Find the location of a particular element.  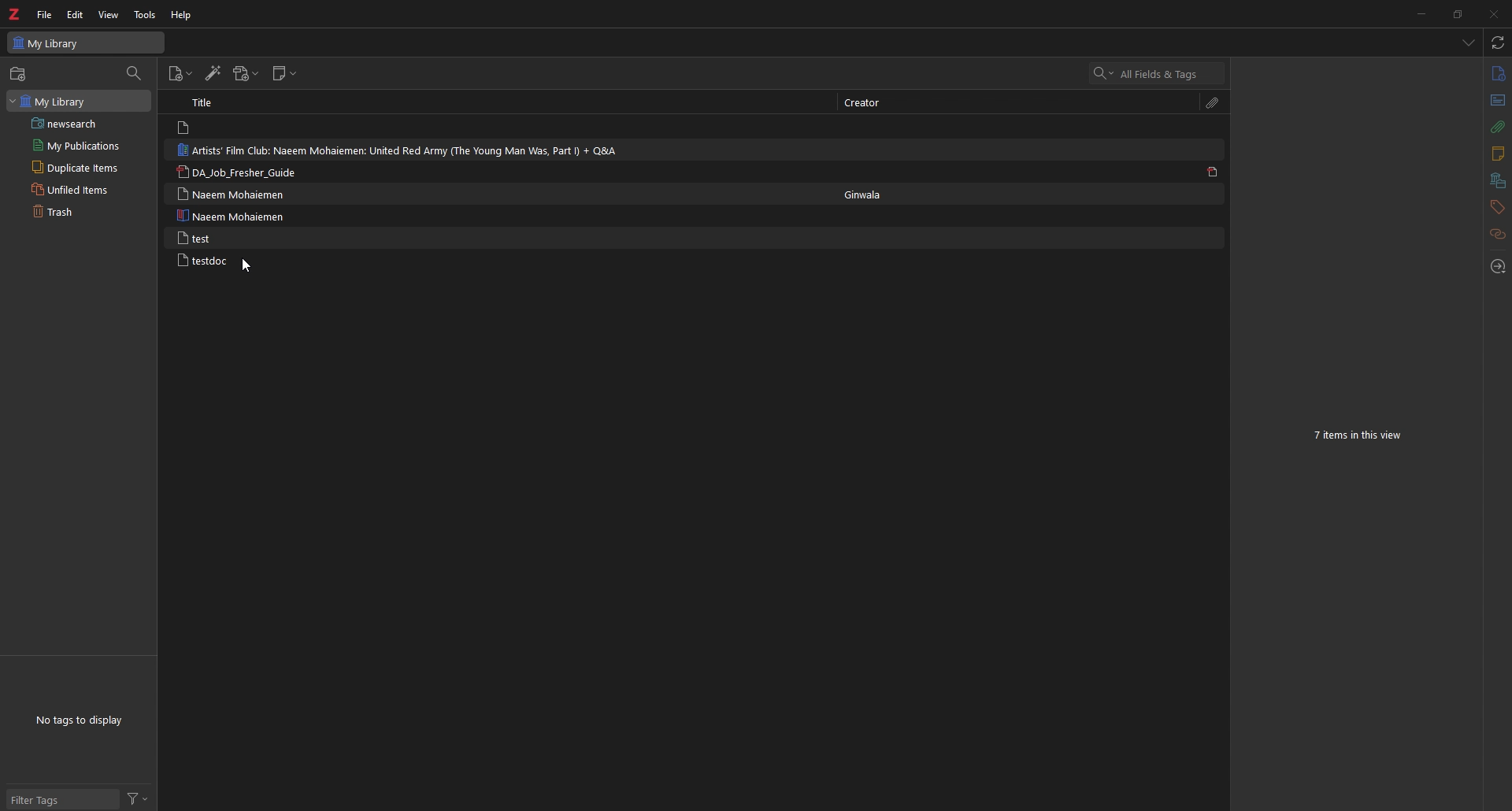

edit is located at coordinates (75, 14).